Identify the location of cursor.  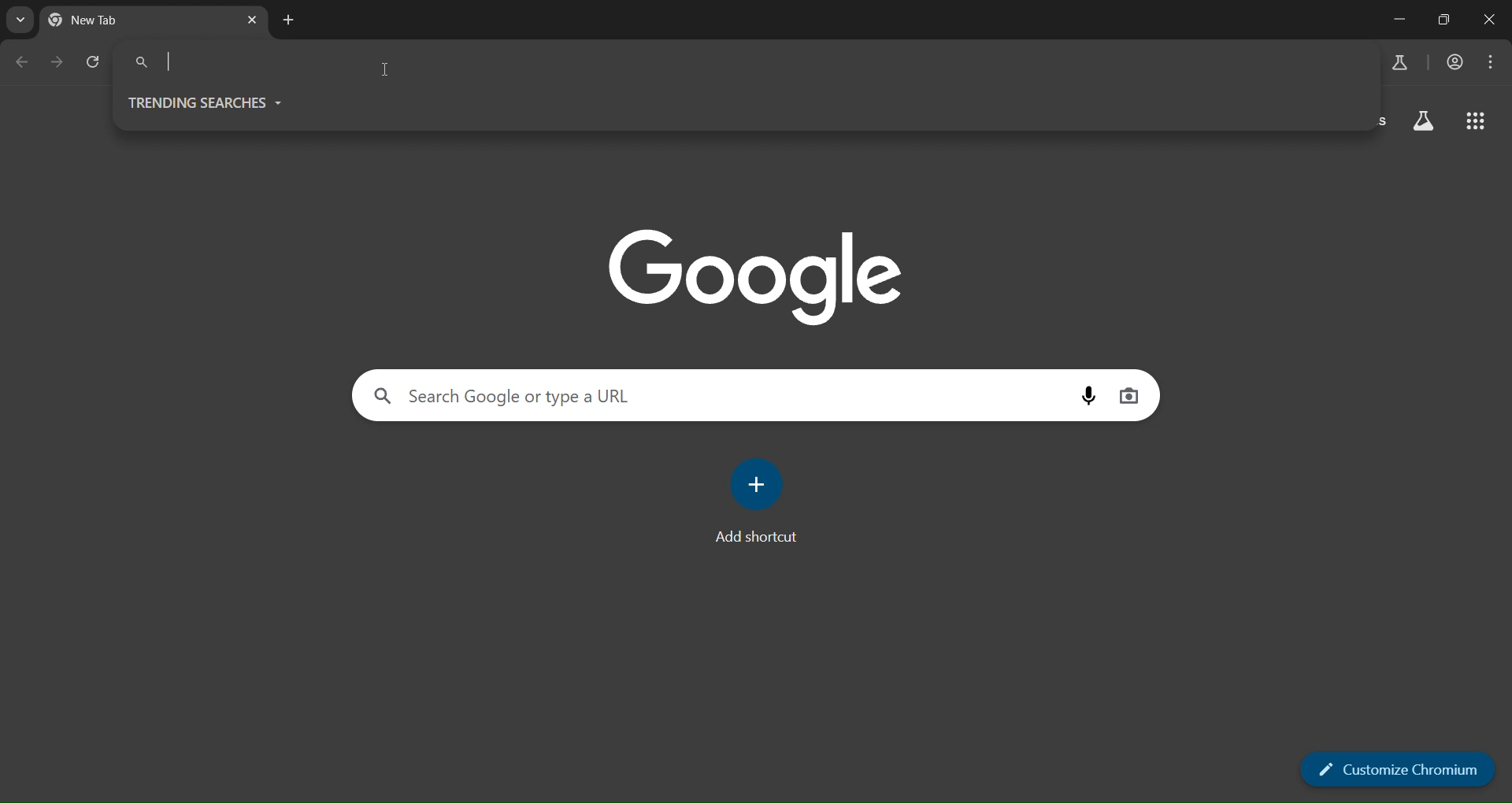
(389, 69).